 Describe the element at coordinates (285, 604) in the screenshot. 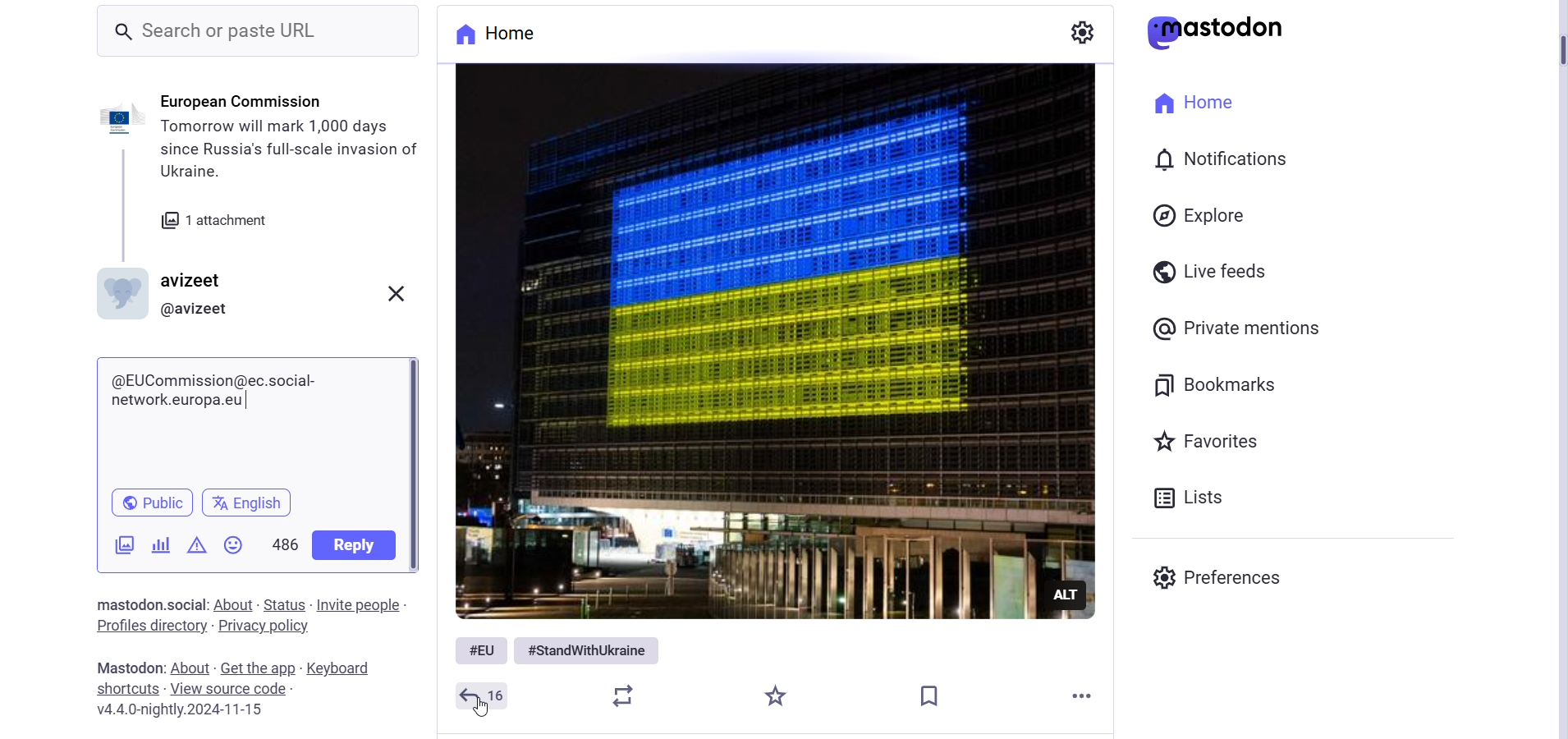

I see `Status` at that location.